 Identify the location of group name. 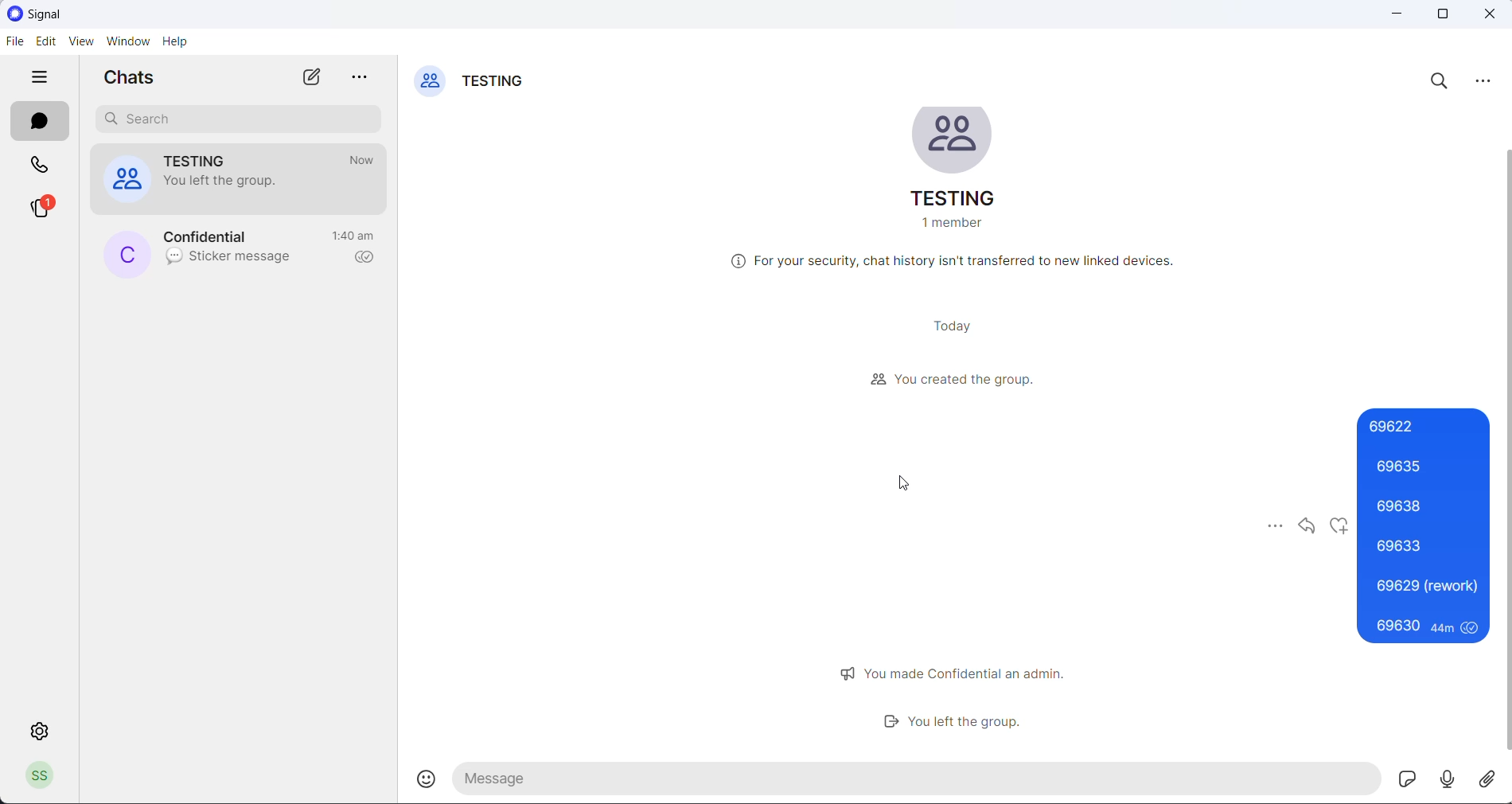
(959, 201).